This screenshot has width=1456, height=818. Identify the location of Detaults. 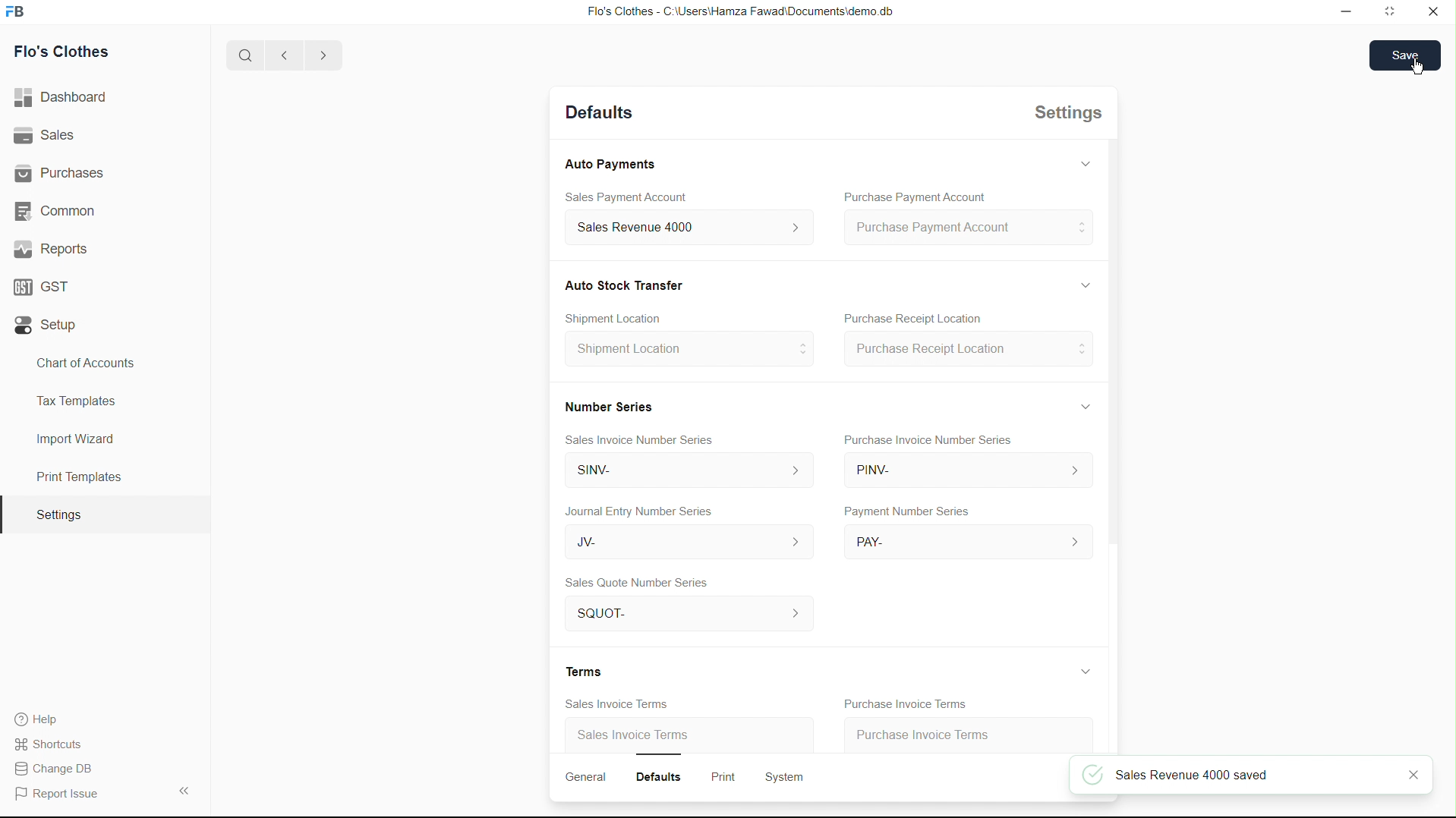
(600, 112).